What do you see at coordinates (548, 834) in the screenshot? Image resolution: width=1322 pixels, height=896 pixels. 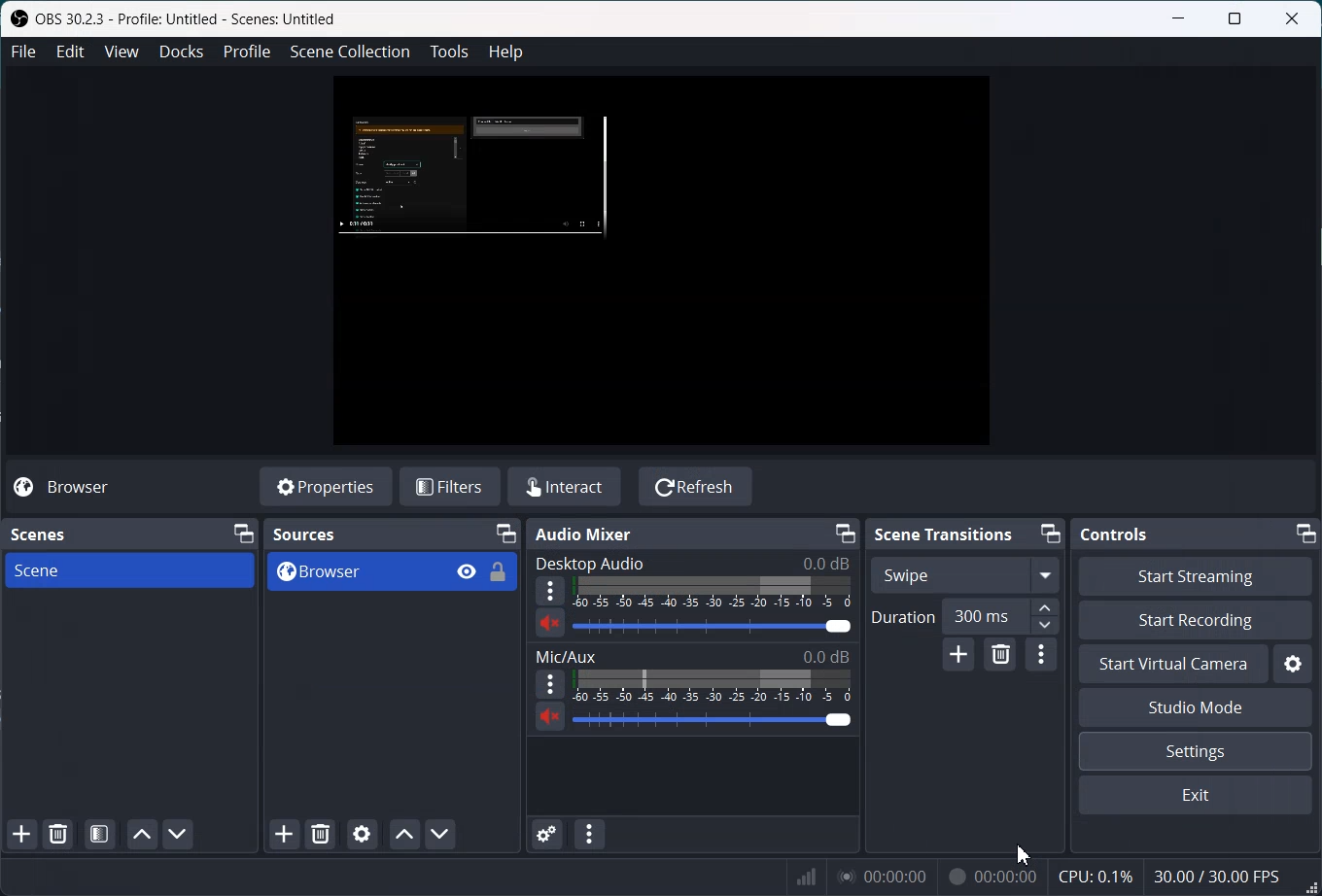 I see `Advance audio properties` at bounding box center [548, 834].